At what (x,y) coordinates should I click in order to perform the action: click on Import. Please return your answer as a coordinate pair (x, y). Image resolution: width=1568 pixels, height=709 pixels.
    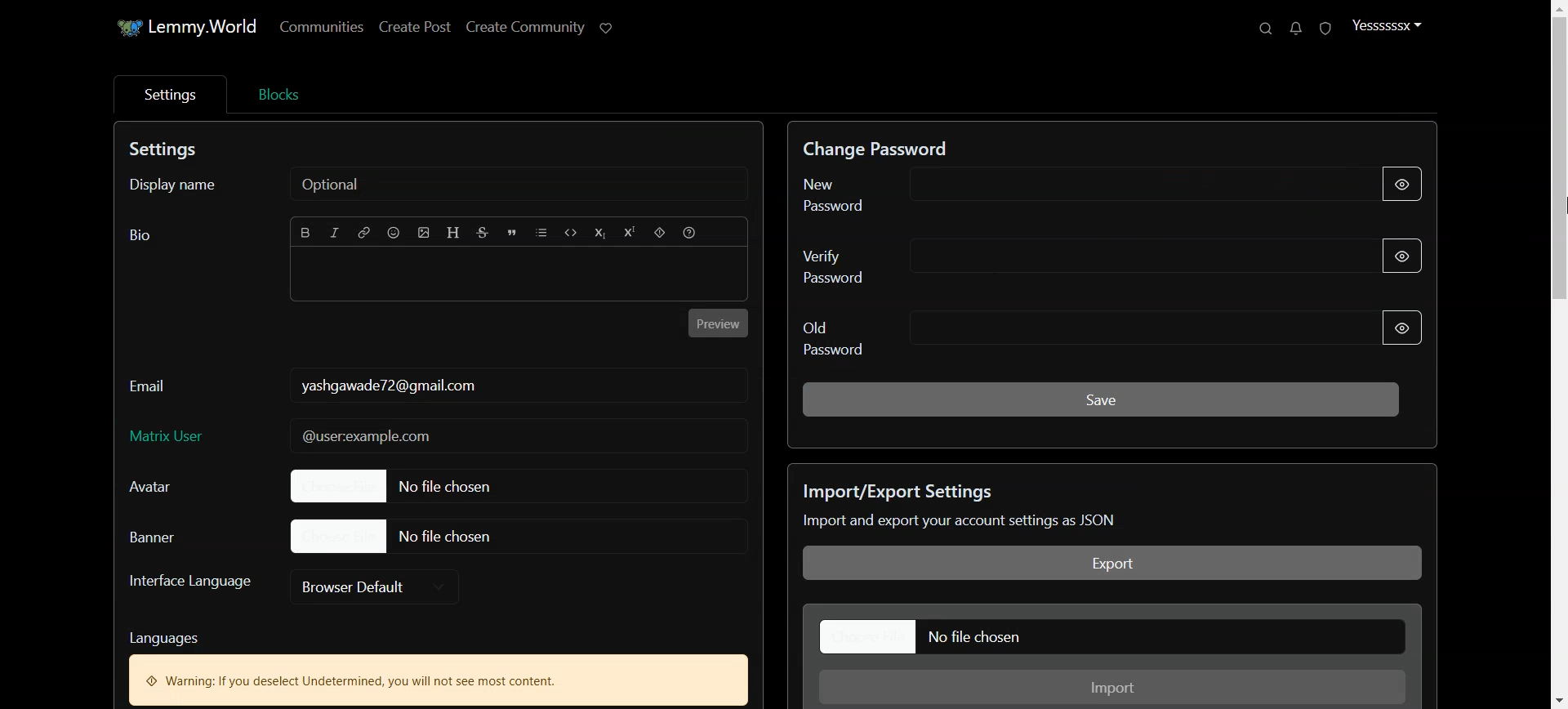
    Looking at the image, I should click on (1112, 685).